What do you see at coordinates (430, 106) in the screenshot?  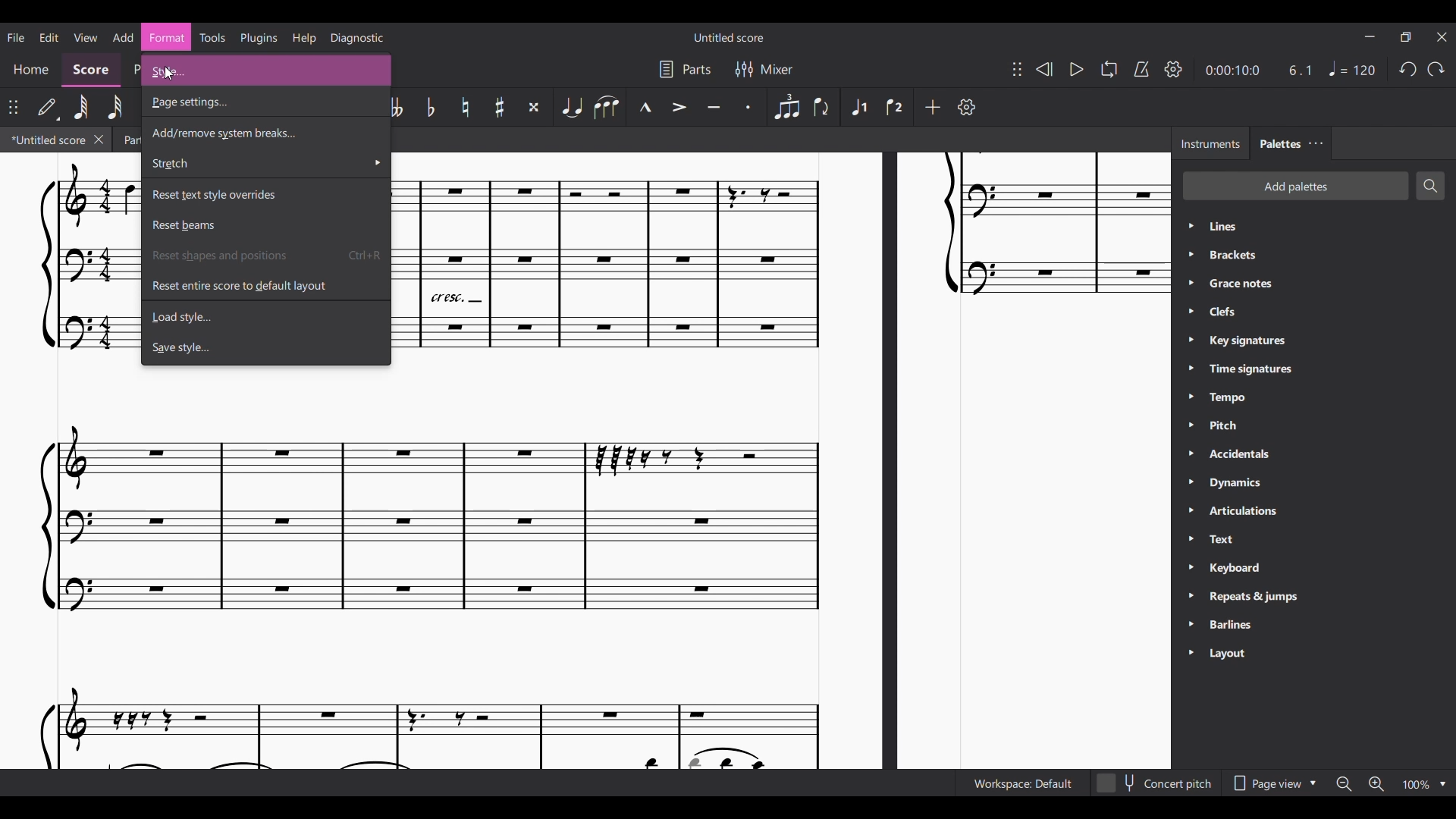 I see `Toggle flat` at bounding box center [430, 106].